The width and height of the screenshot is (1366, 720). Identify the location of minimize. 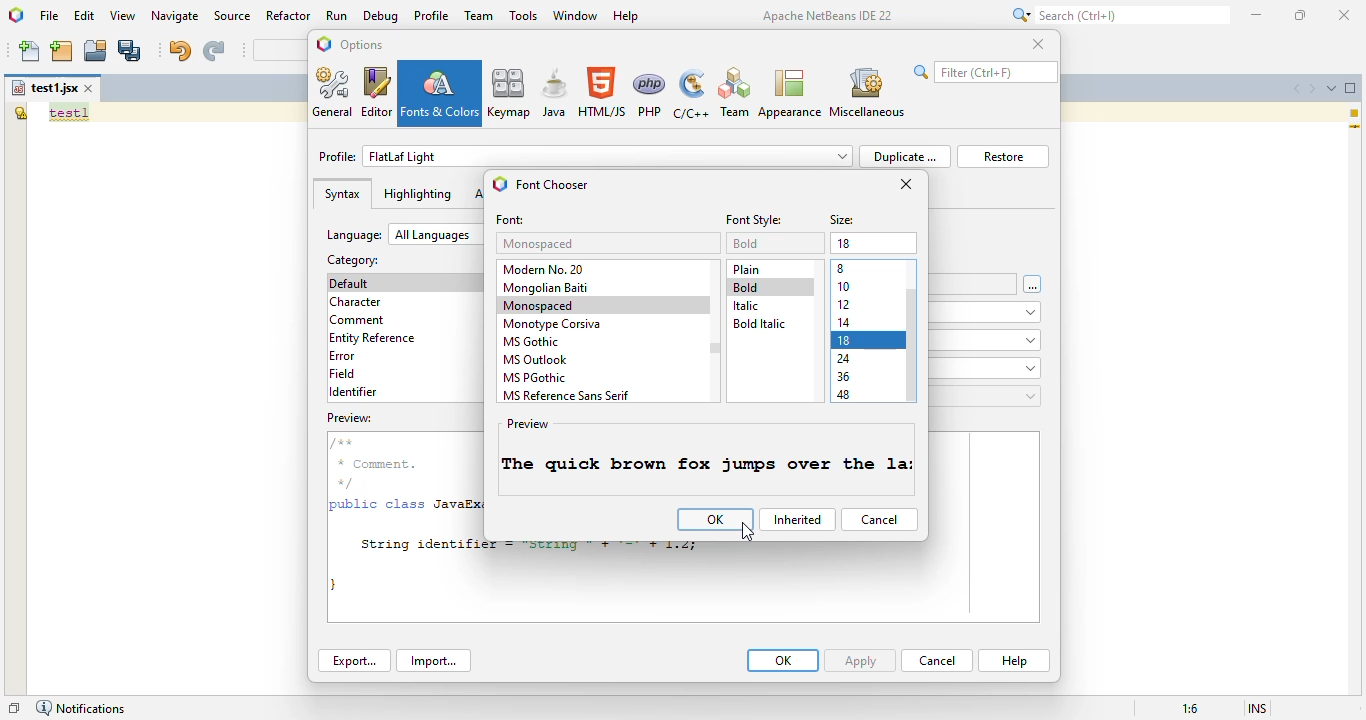
(1257, 14).